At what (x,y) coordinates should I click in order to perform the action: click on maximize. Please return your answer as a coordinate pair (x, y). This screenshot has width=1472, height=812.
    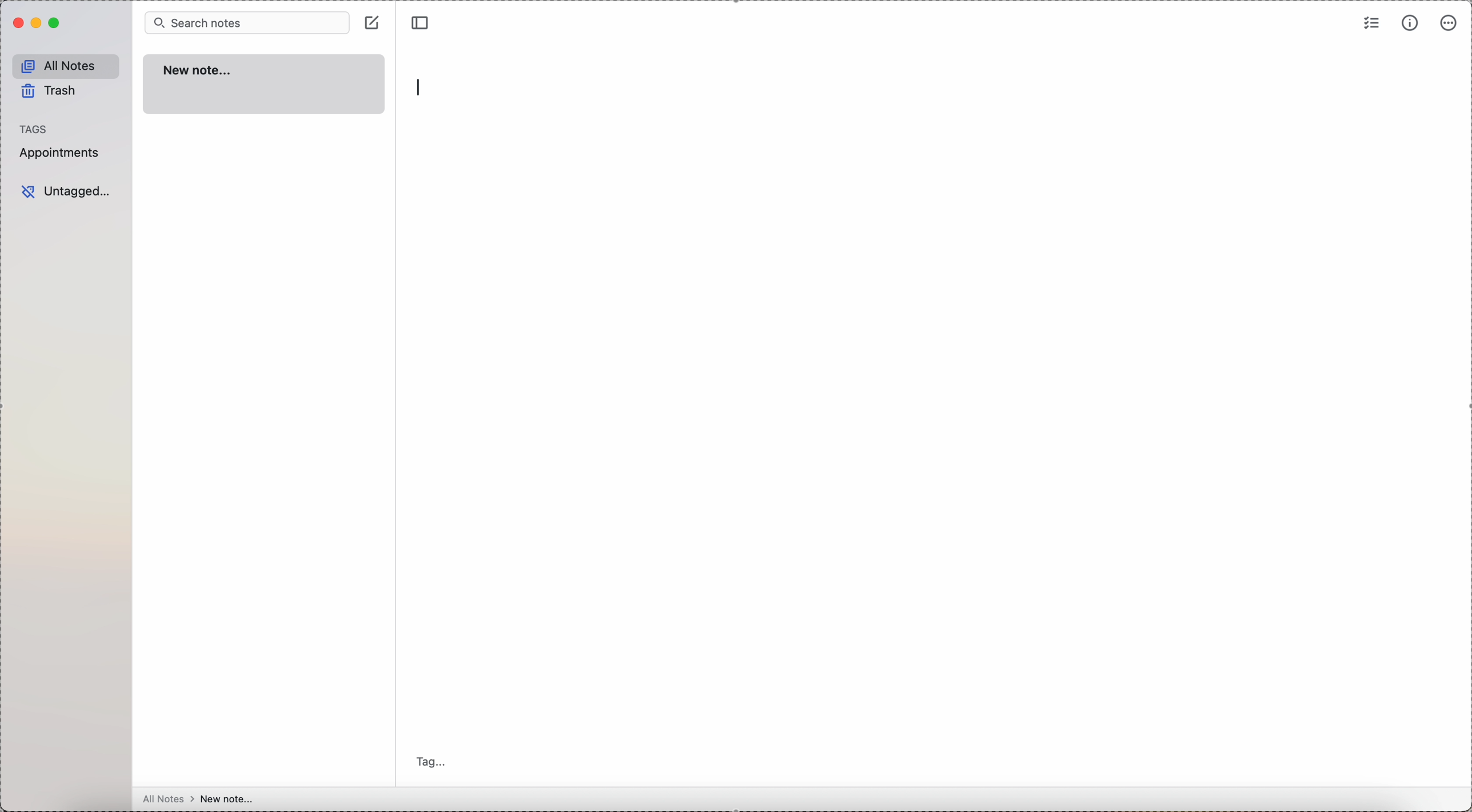
    Looking at the image, I should click on (56, 23).